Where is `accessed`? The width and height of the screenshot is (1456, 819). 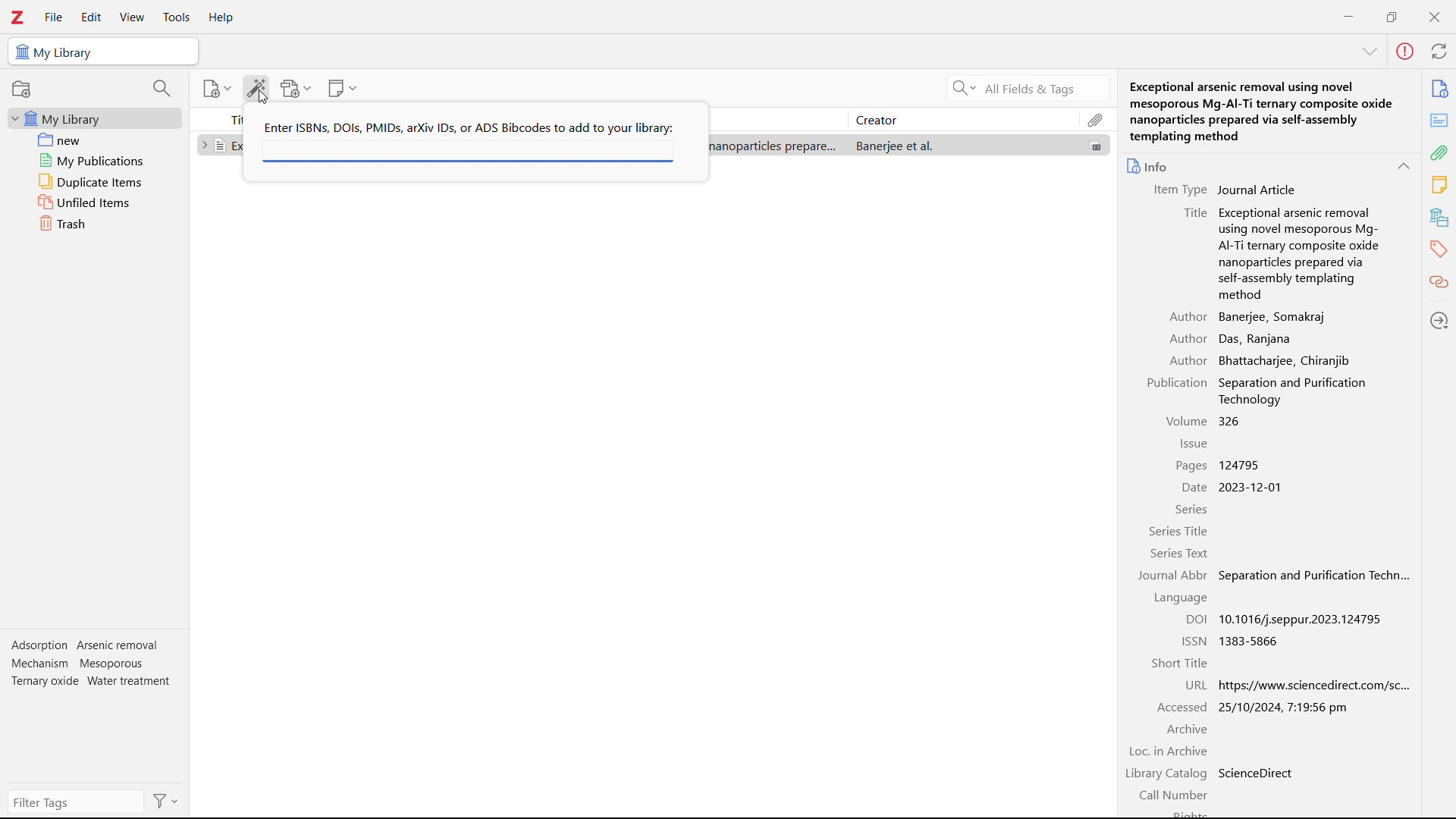 accessed is located at coordinates (1182, 707).